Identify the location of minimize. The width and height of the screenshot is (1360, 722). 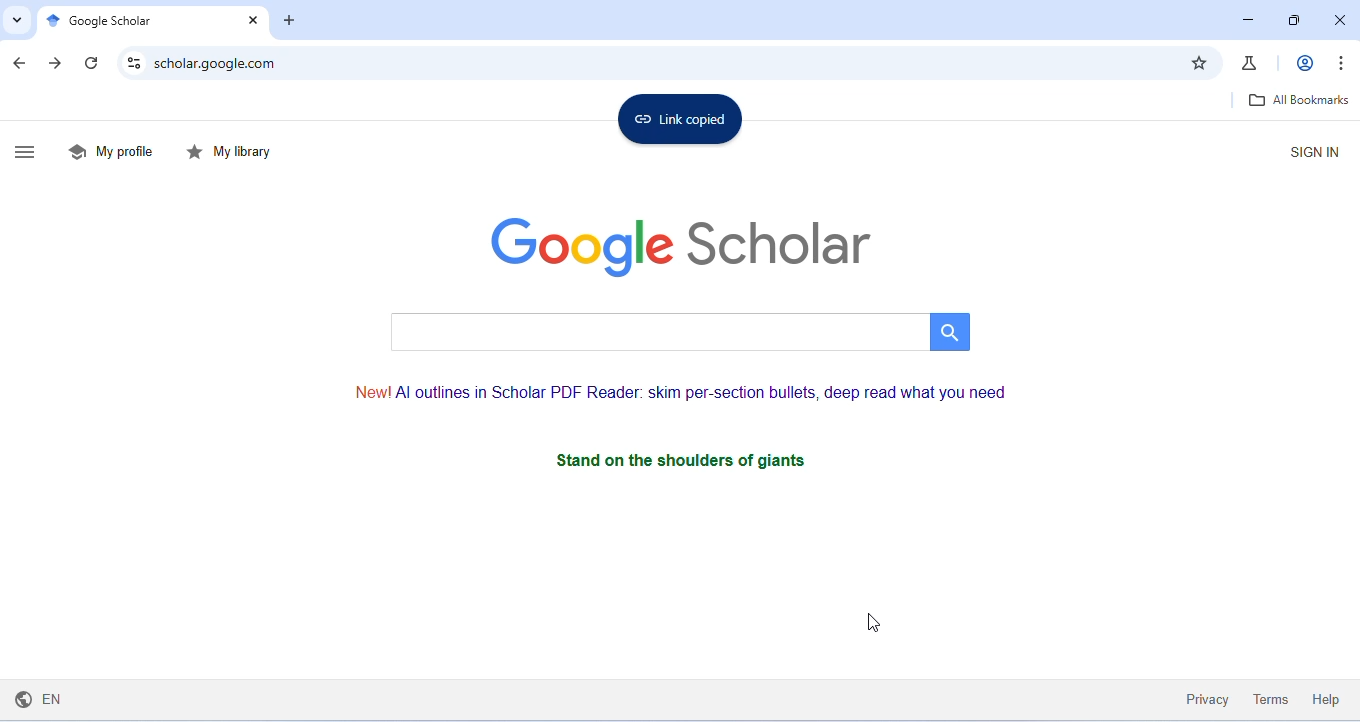
(1247, 21).